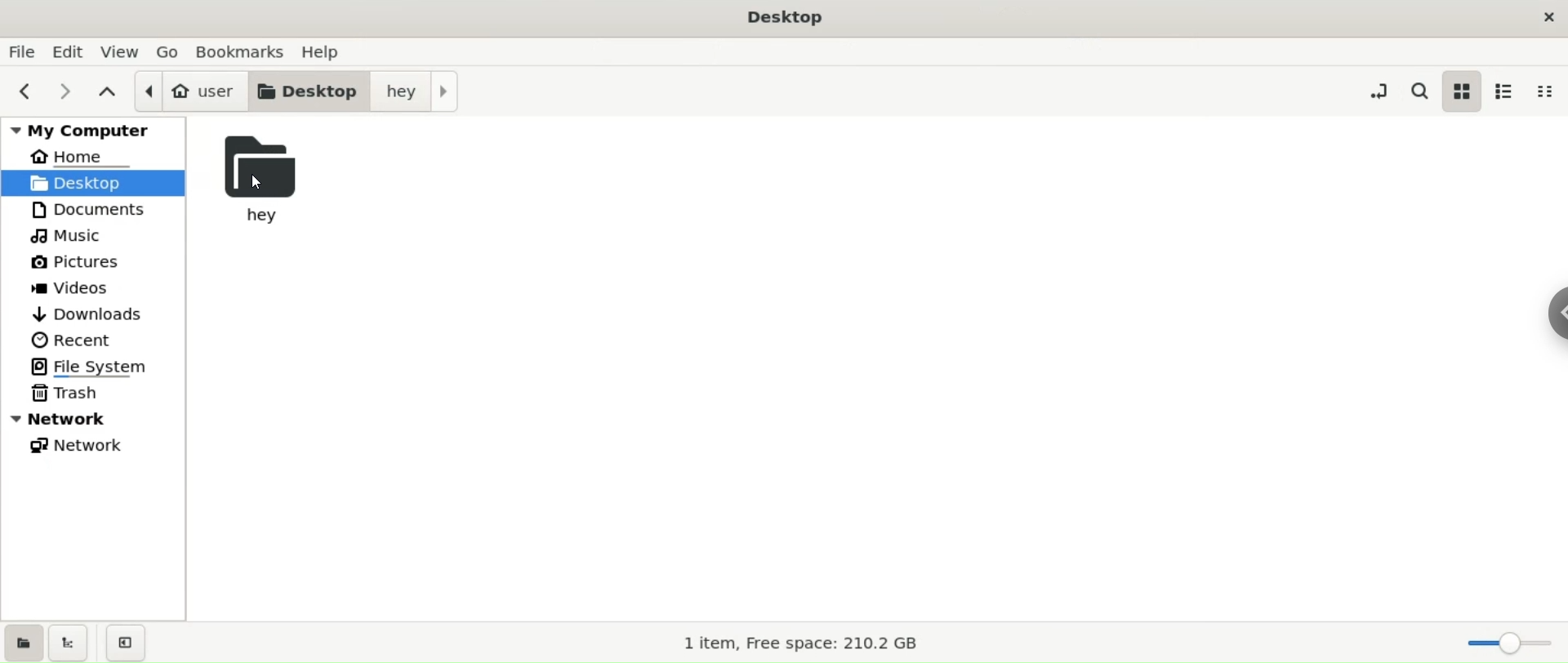 This screenshot has width=1568, height=663. Describe the element at coordinates (1373, 93) in the screenshot. I see `toggle location entry` at that location.